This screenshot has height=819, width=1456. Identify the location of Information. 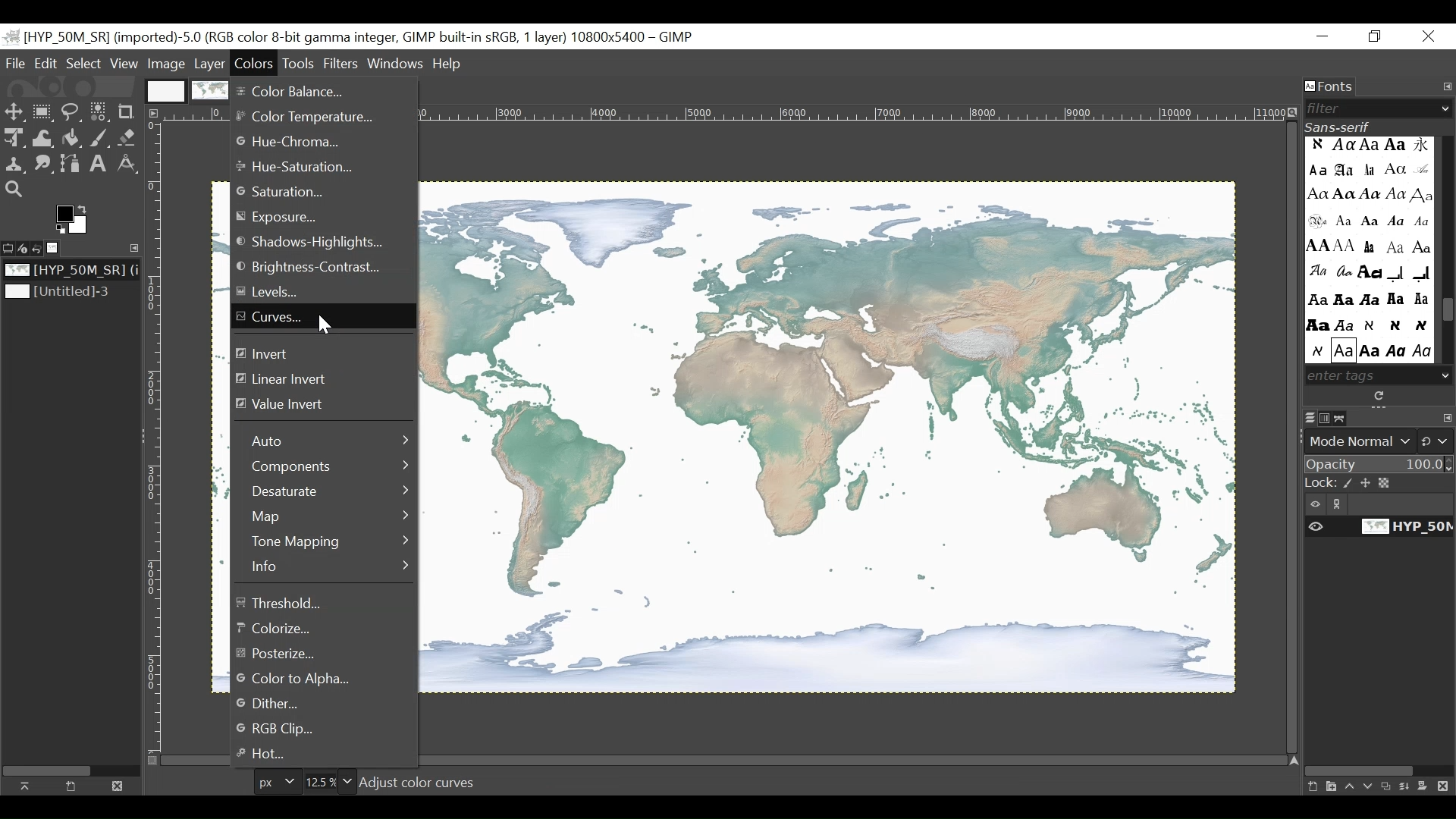
(322, 567).